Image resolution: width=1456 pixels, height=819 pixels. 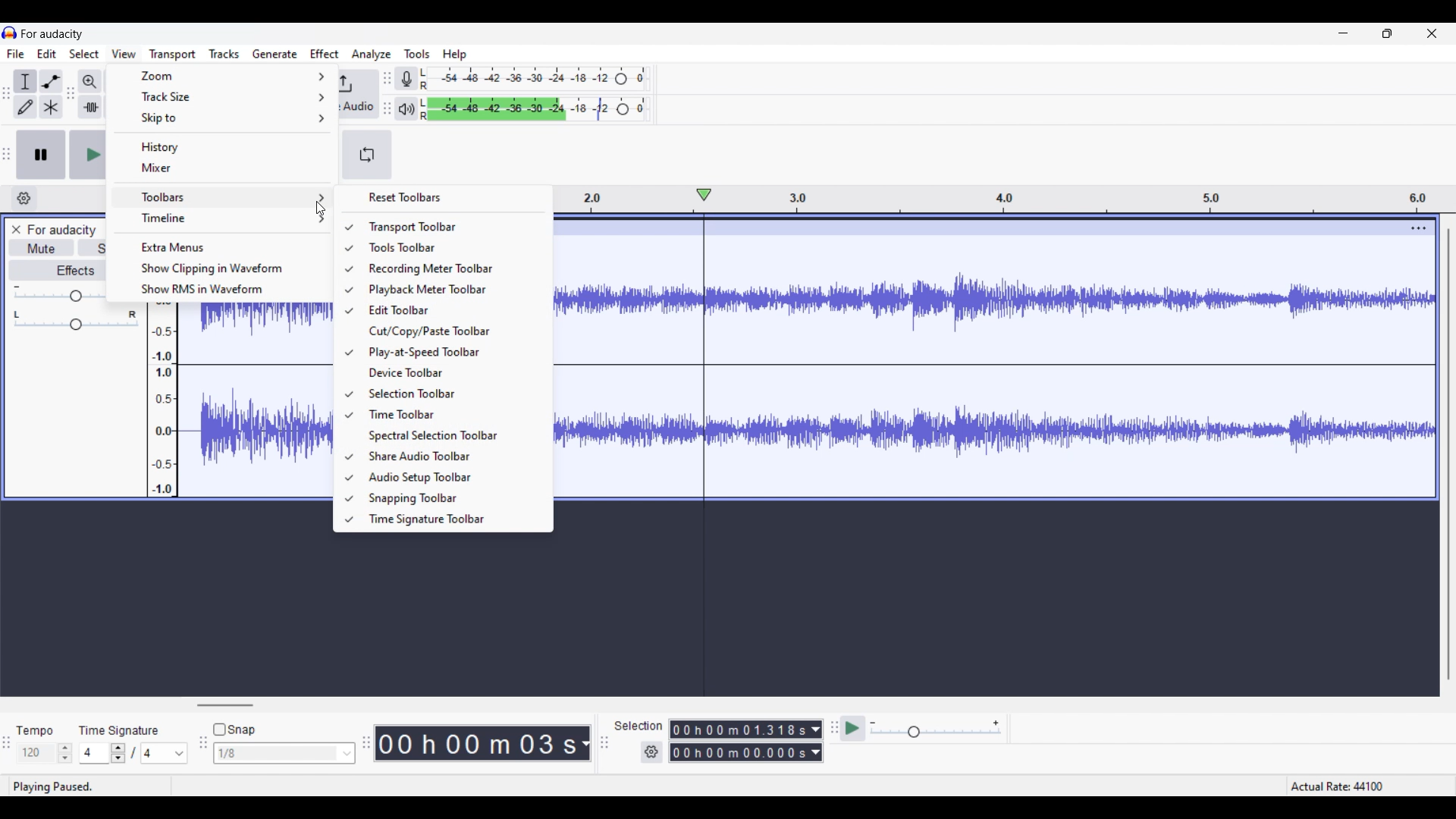 I want to click on Device toolbar, so click(x=449, y=372).